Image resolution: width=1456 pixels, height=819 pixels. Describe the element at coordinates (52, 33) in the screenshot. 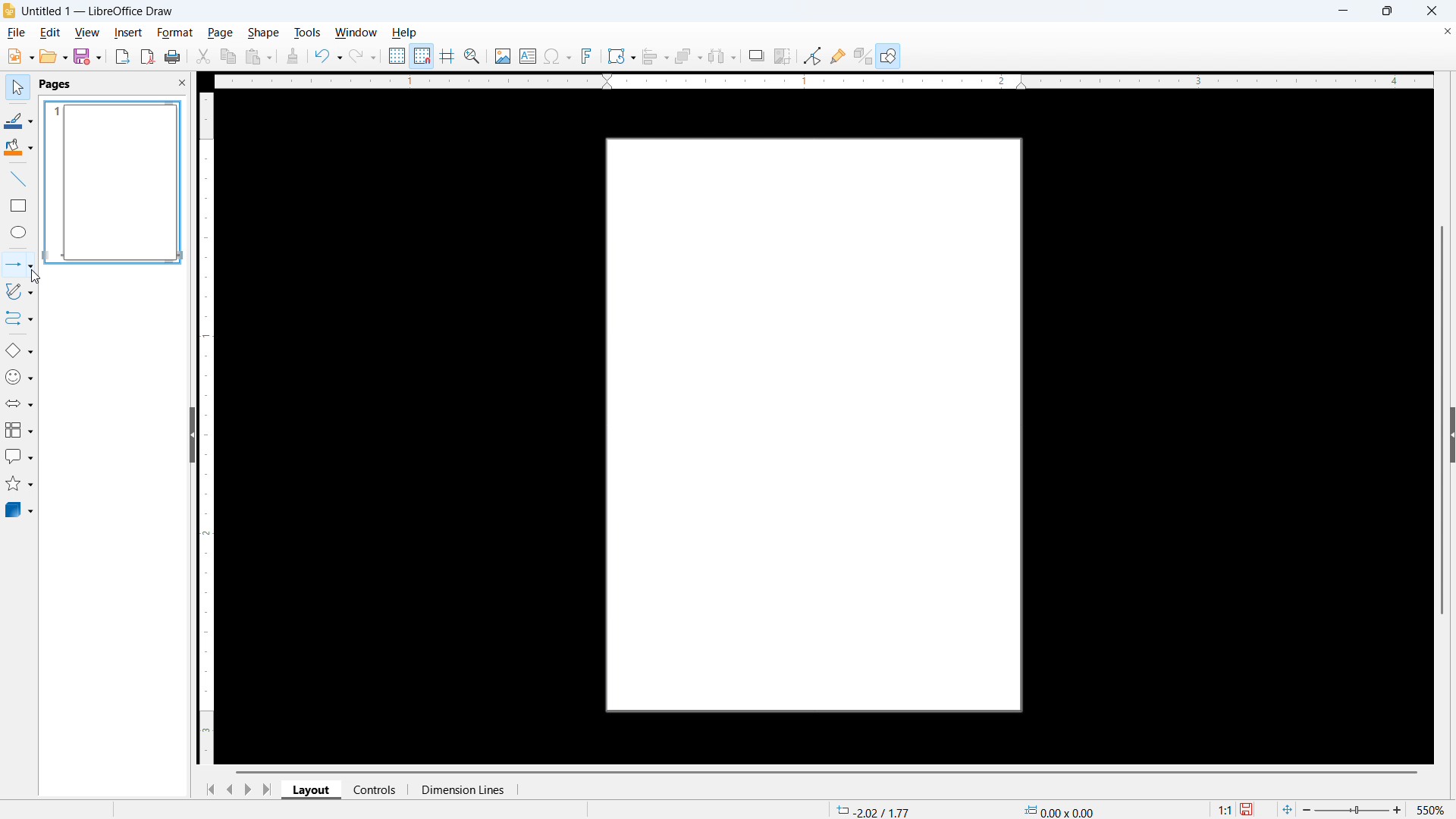

I see `Edit ` at that location.